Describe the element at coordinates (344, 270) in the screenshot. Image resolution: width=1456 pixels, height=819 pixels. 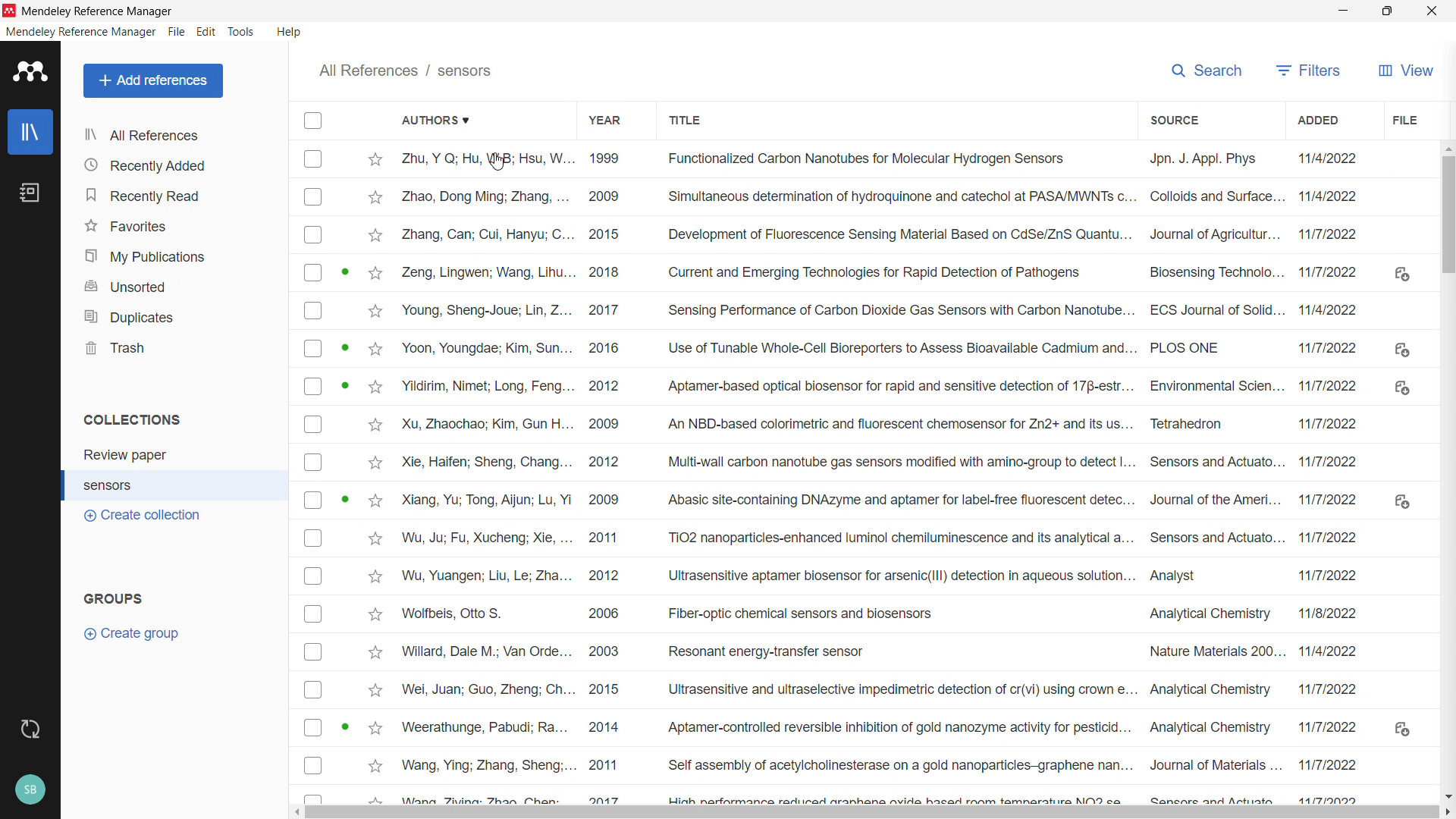
I see `PDF available` at that location.